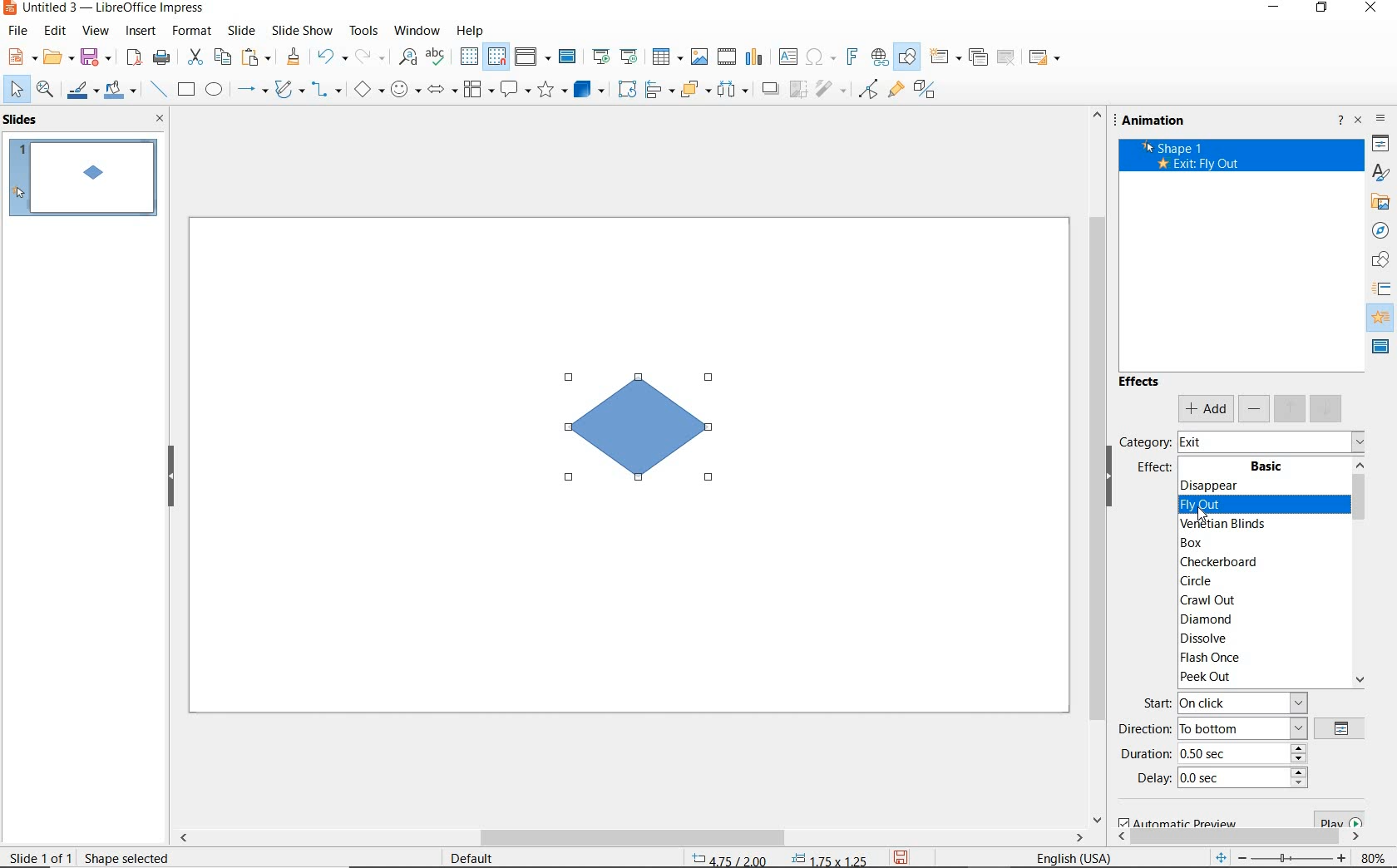 This screenshot has height=868, width=1397. Describe the element at coordinates (1360, 572) in the screenshot. I see `scrollbar` at that location.